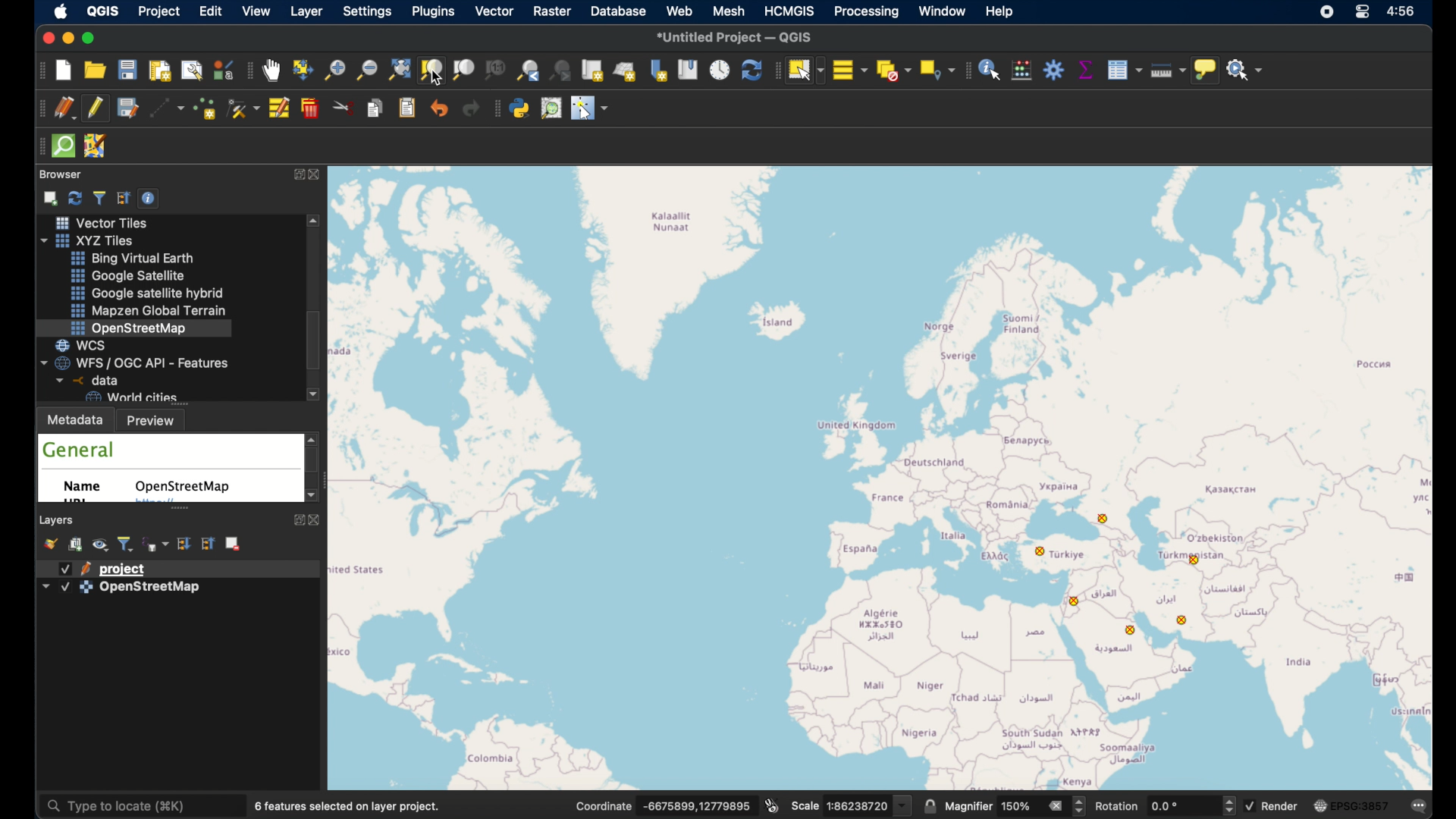 This screenshot has height=819, width=1456. What do you see at coordinates (999, 11) in the screenshot?
I see `help` at bounding box center [999, 11].